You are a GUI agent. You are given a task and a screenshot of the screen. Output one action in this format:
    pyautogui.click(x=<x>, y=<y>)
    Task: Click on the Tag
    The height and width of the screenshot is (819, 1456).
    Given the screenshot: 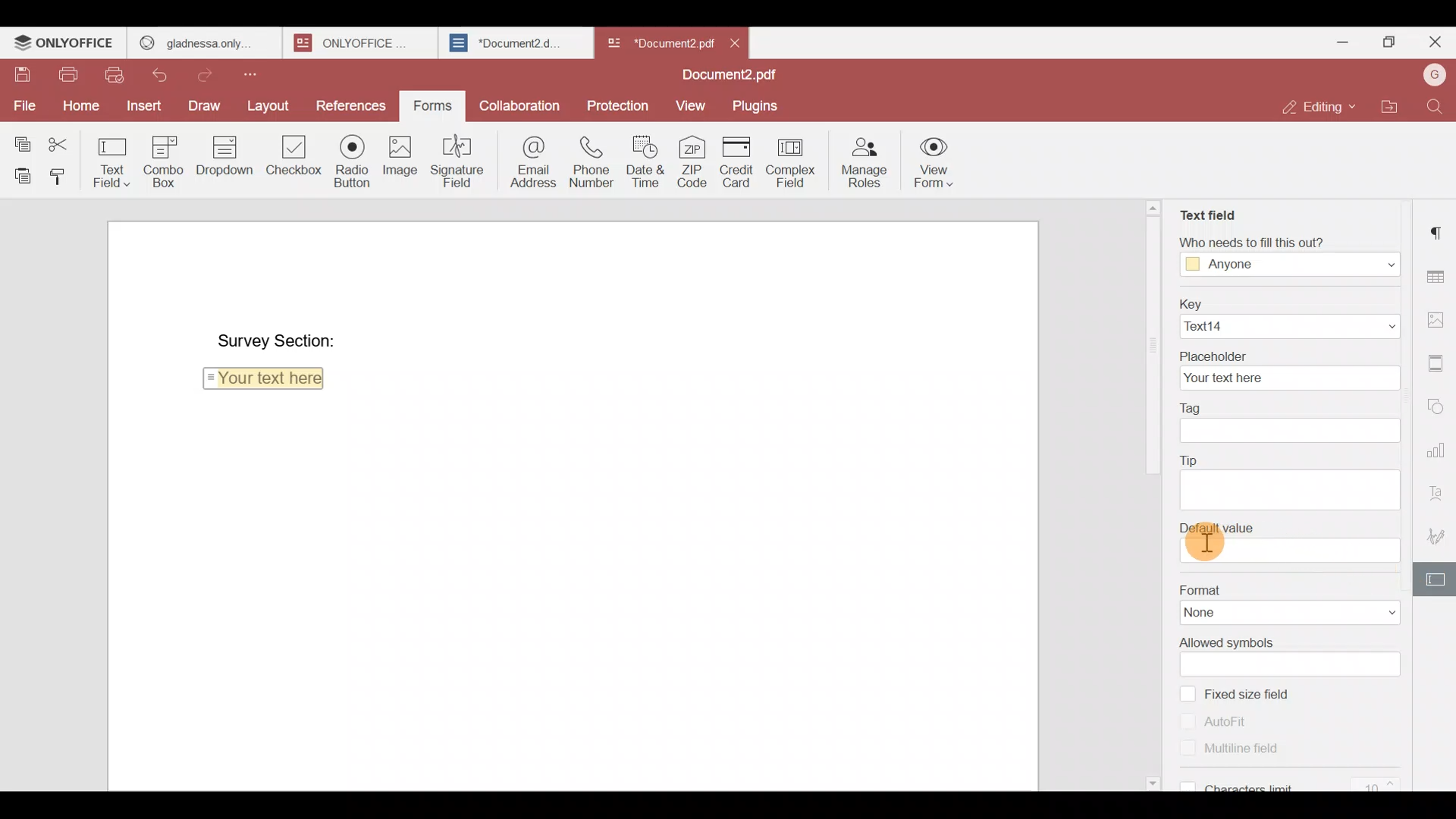 What is the action you would take?
    pyautogui.click(x=1286, y=407)
    